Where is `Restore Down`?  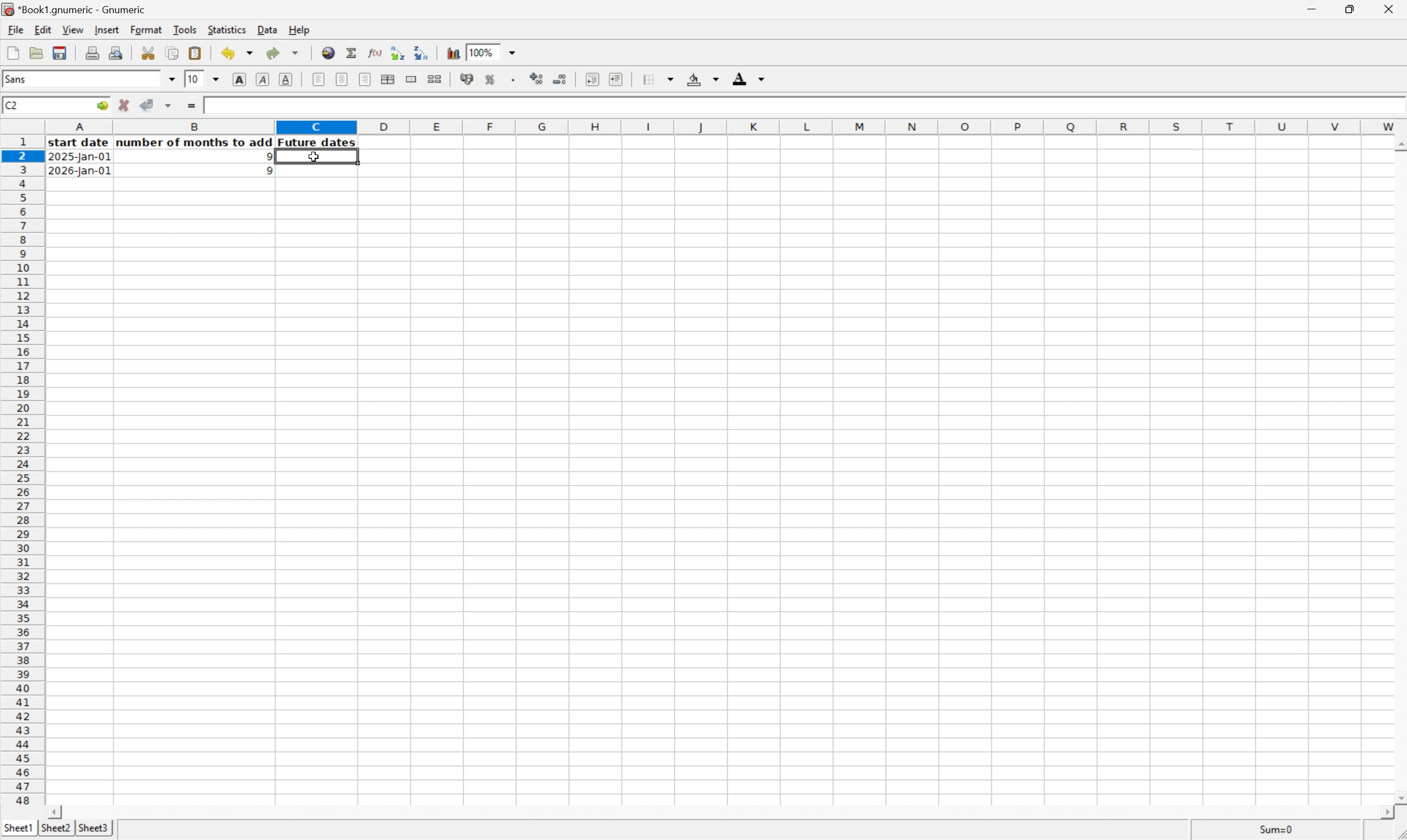 Restore Down is located at coordinates (1349, 7).